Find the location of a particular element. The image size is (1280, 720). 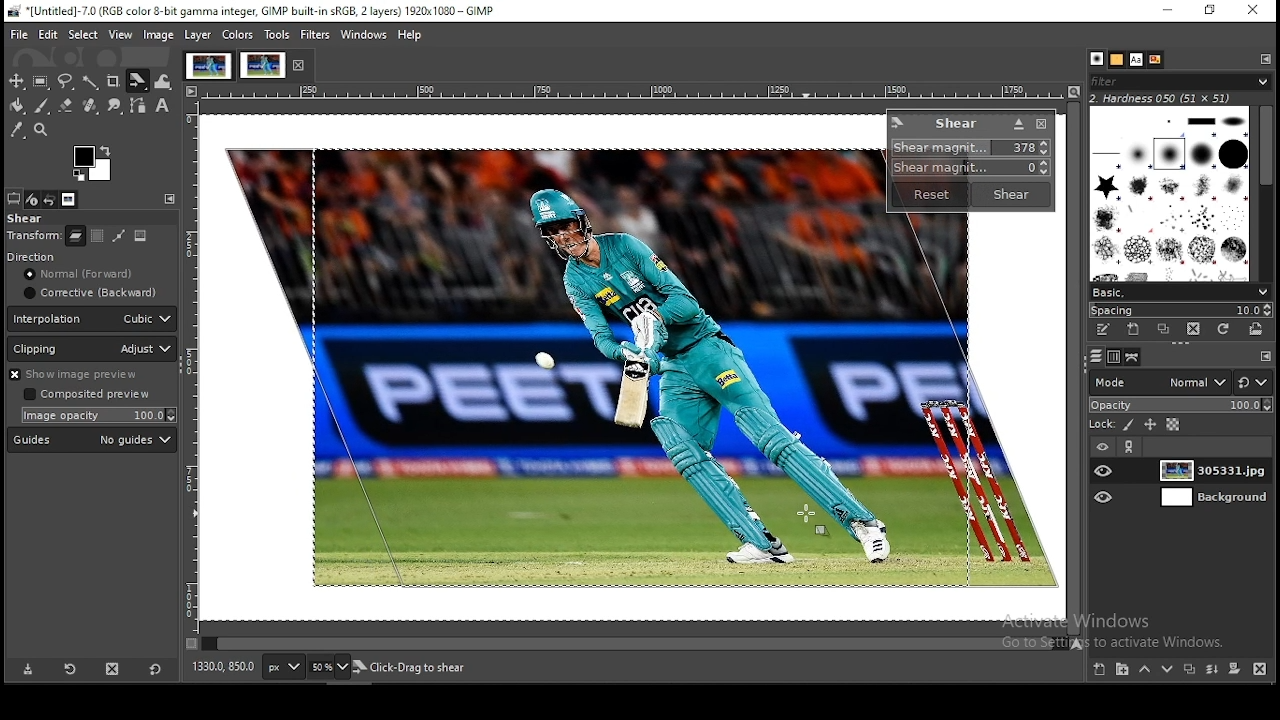

color picker tool is located at coordinates (19, 130).